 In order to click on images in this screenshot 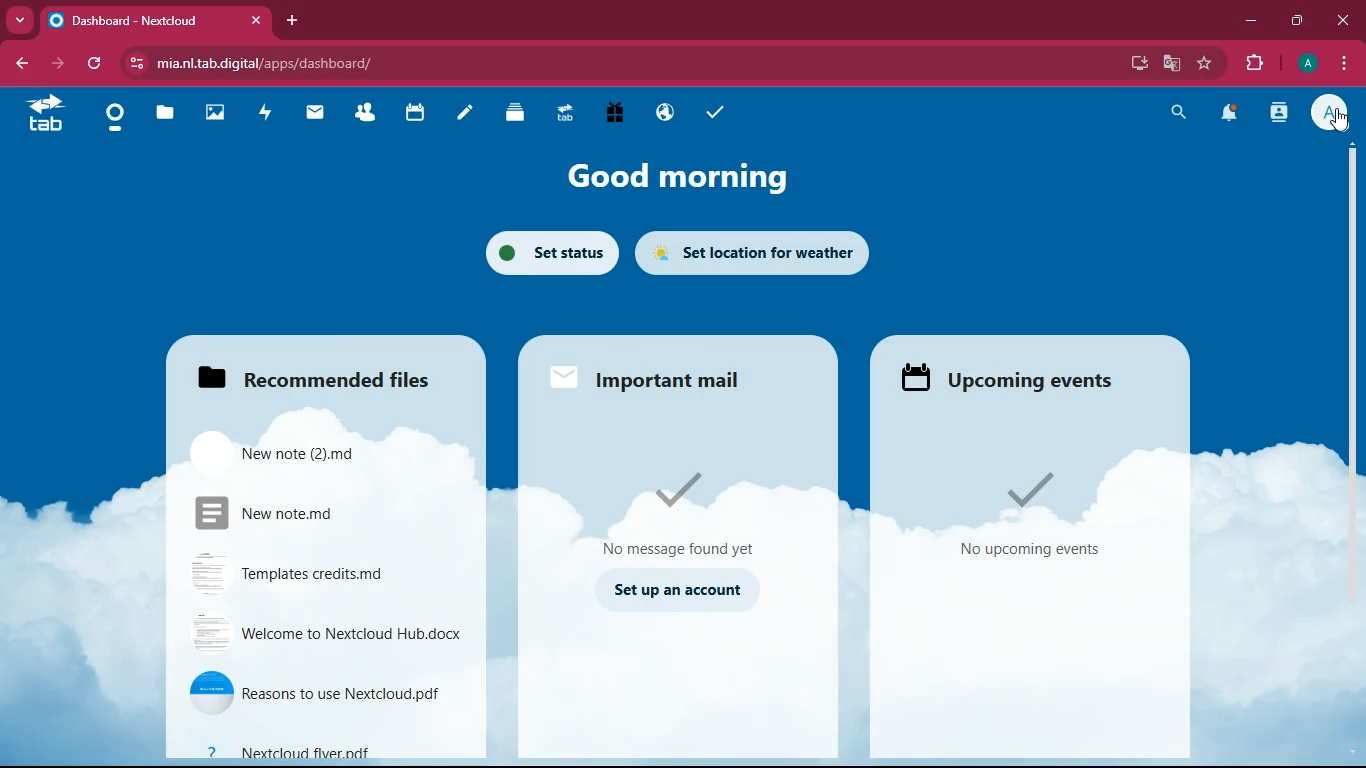, I will do `click(220, 113)`.